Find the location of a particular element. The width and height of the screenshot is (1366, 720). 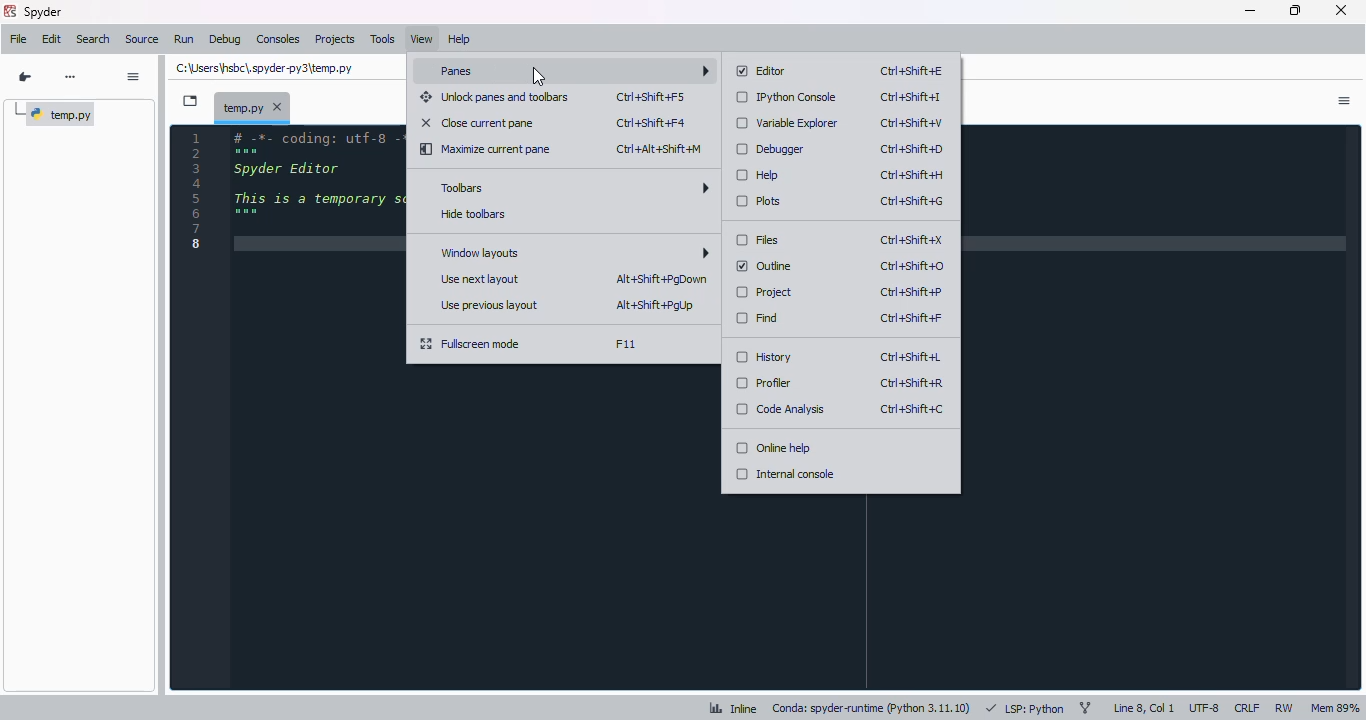

toolbars is located at coordinates (573, 186).